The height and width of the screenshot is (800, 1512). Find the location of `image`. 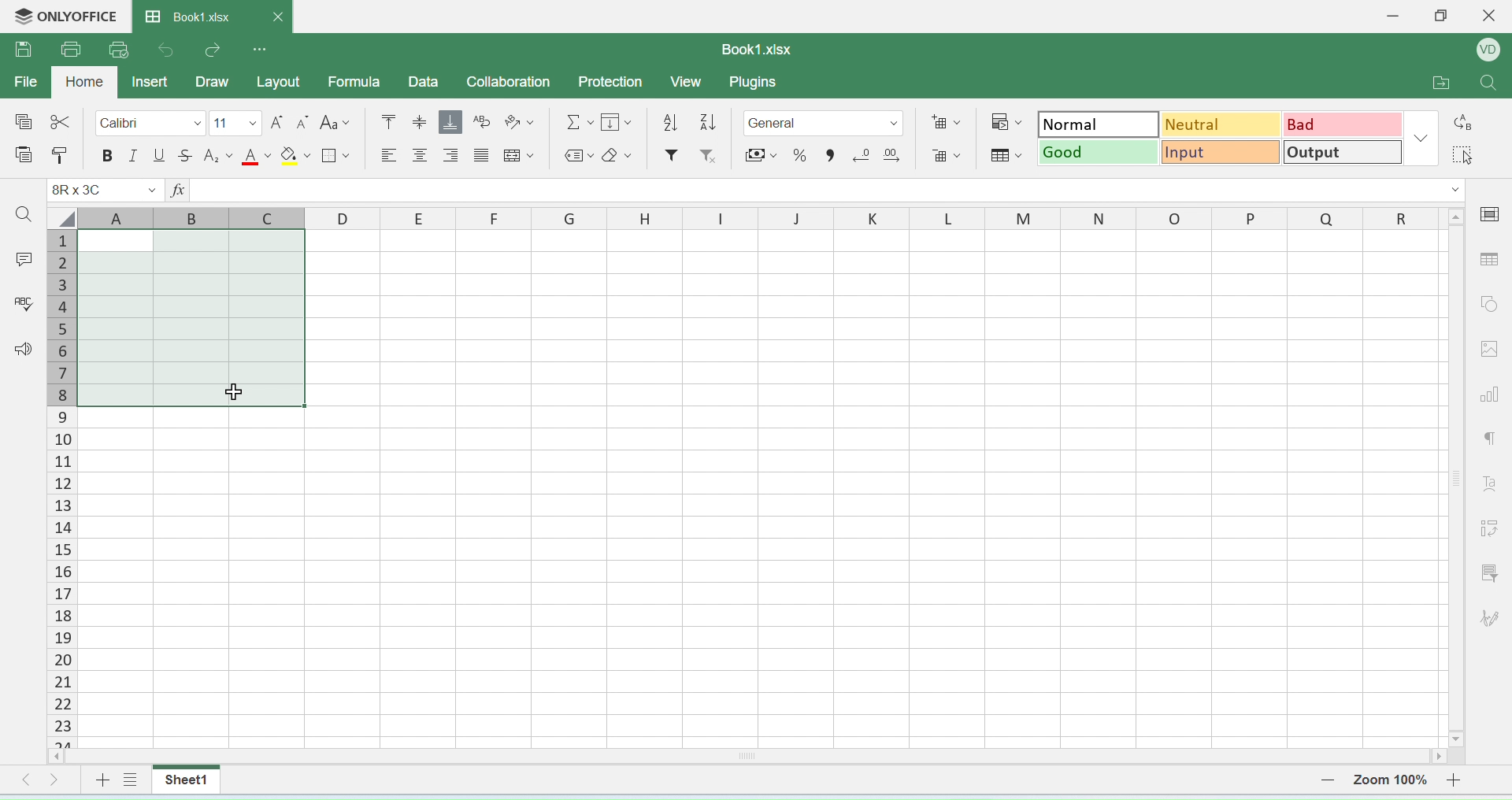

image is located at coordinates (1492, 352).